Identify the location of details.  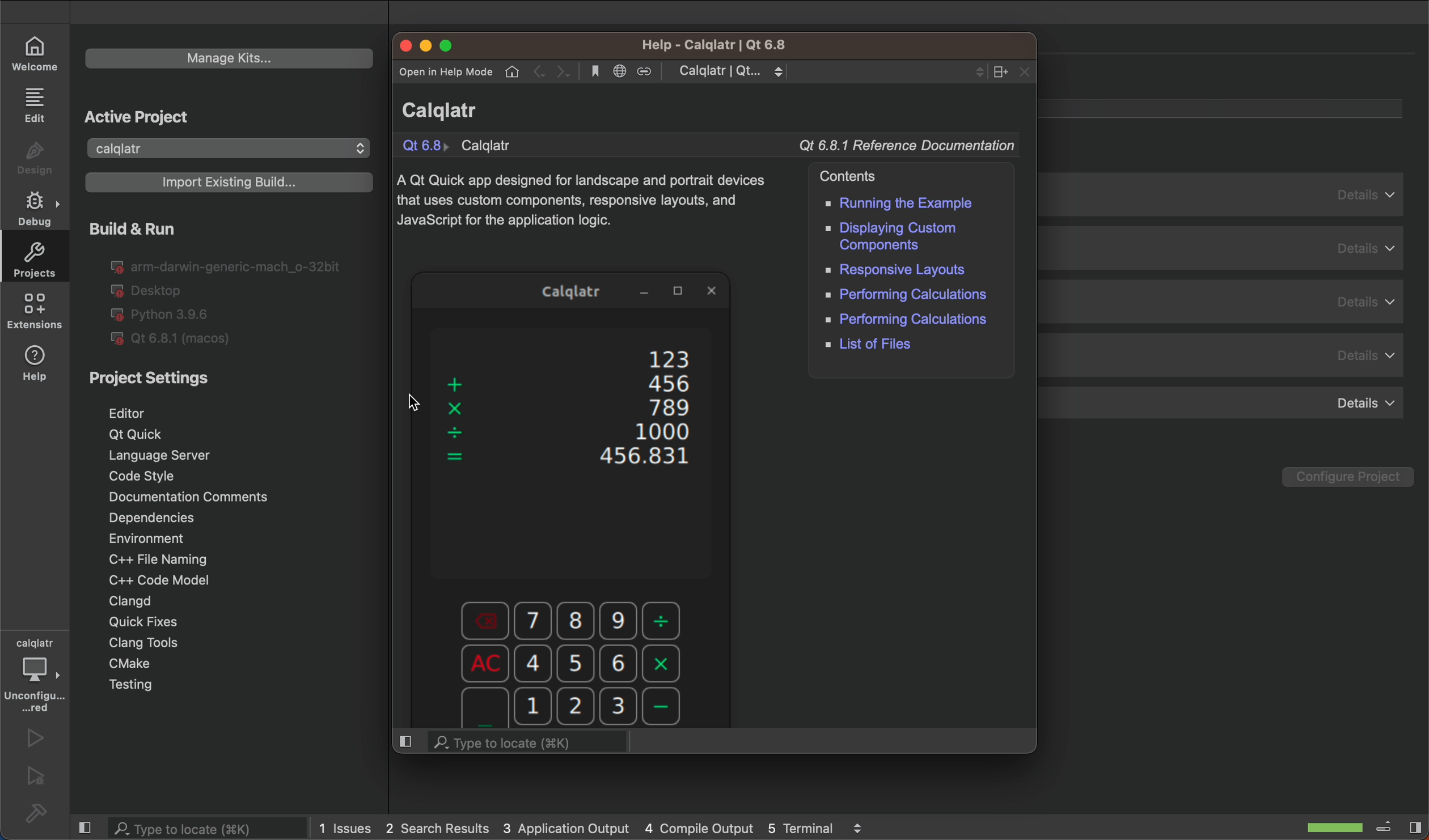
(1224, 195).